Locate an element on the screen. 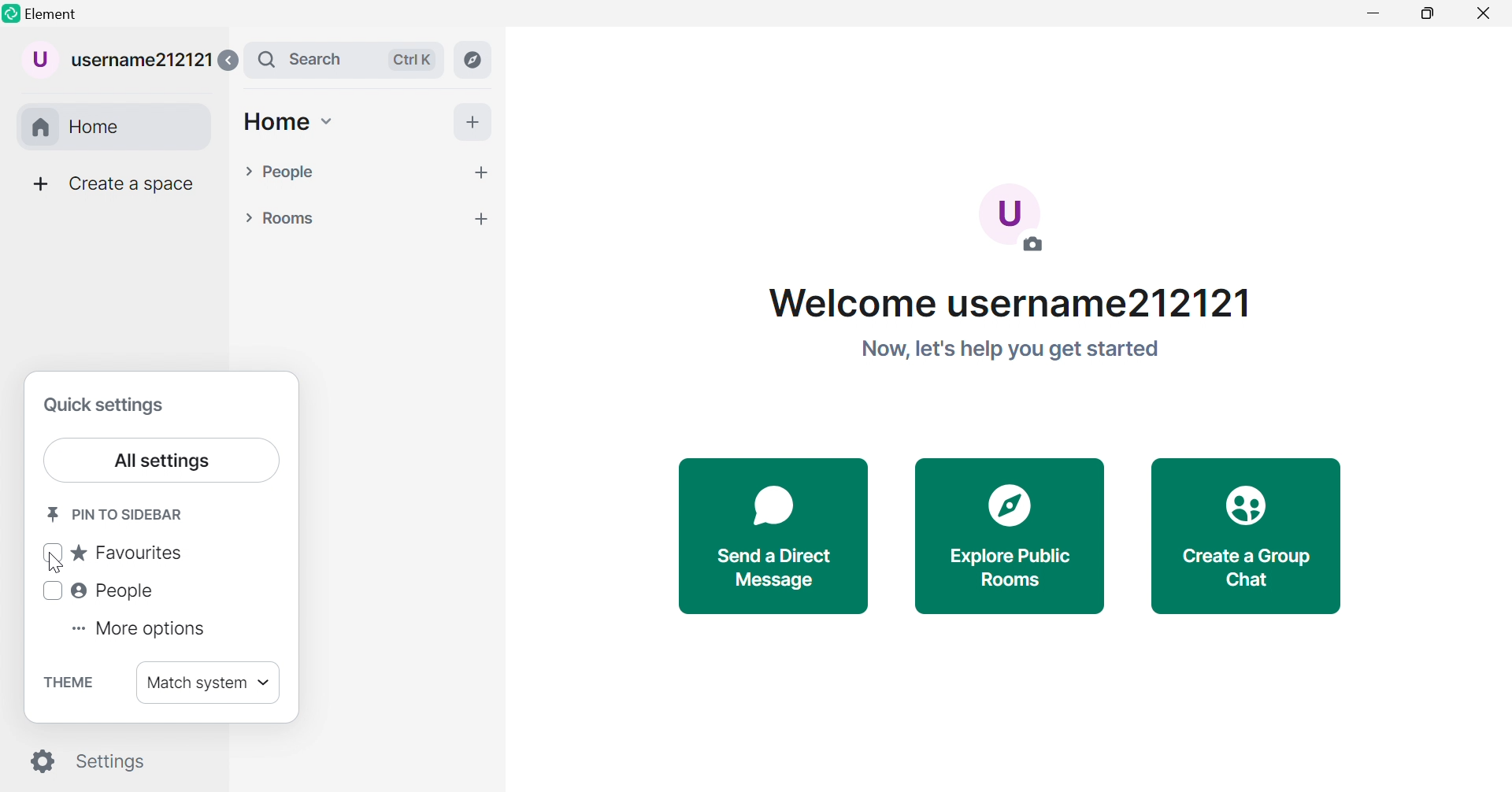  Quick settings is located at coordinates (106, 407).